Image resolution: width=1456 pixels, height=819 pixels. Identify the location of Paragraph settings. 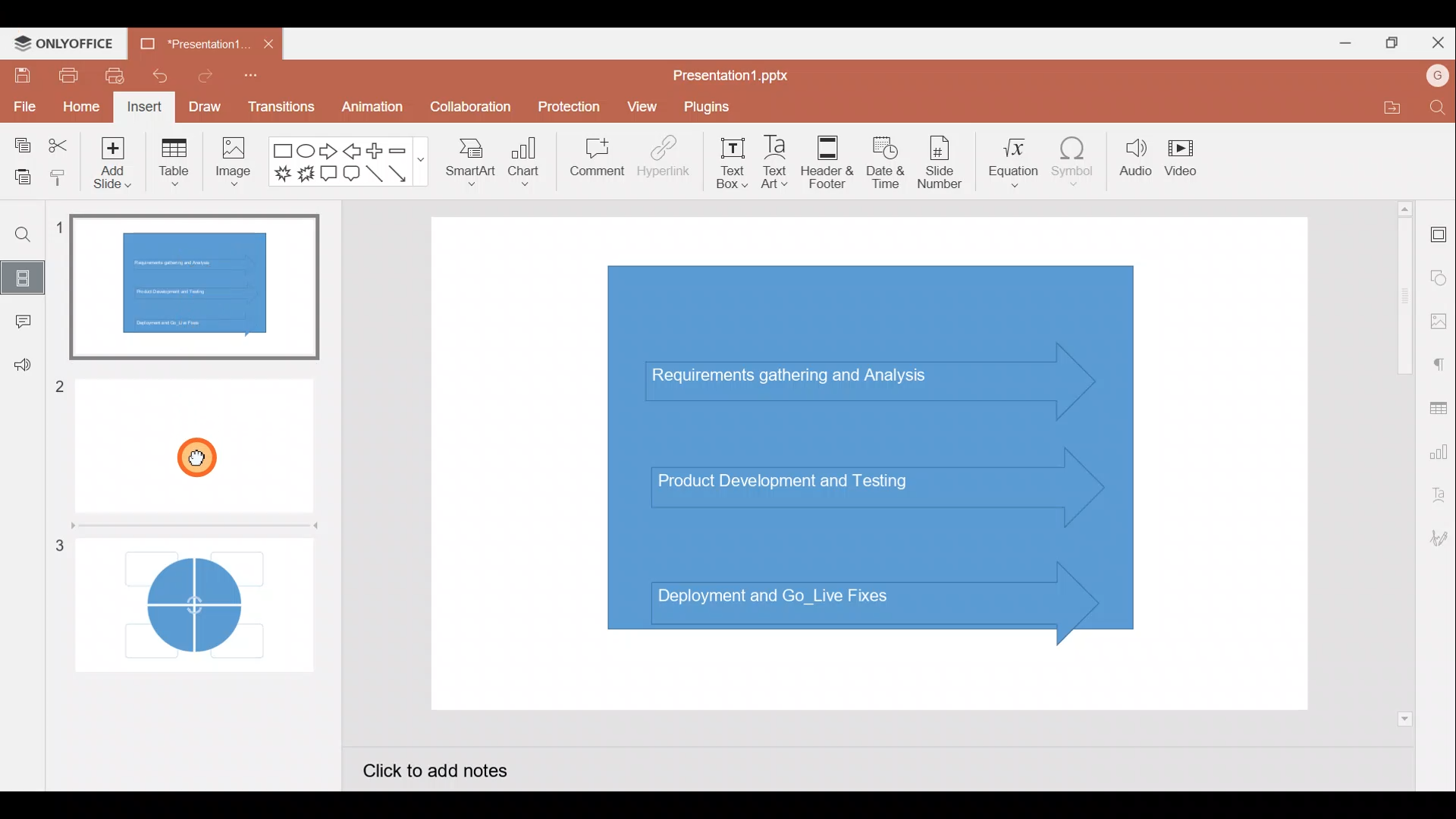
(1441, 365).